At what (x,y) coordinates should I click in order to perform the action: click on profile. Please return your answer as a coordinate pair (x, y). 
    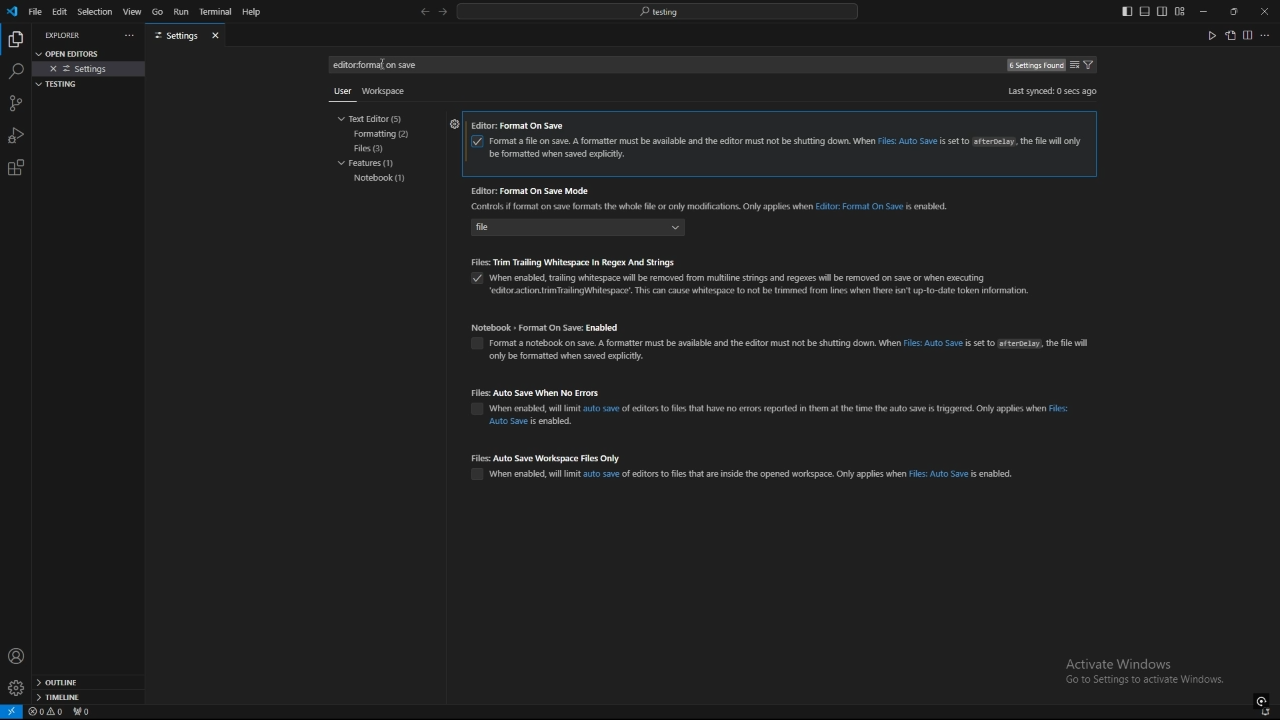
    Looking at the image, I should click on (16, 656).